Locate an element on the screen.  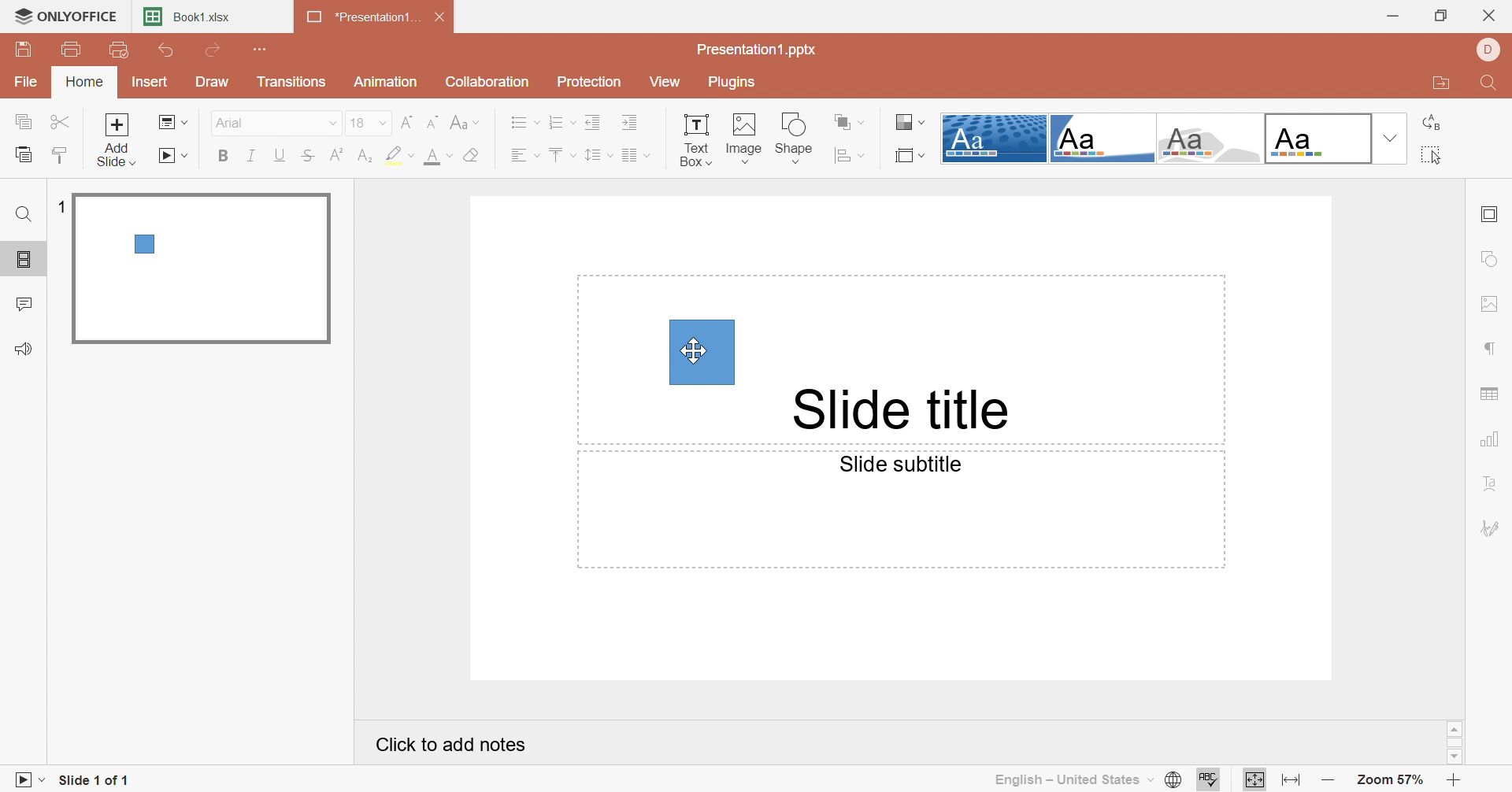
Find is located at coordinates (24, 214).